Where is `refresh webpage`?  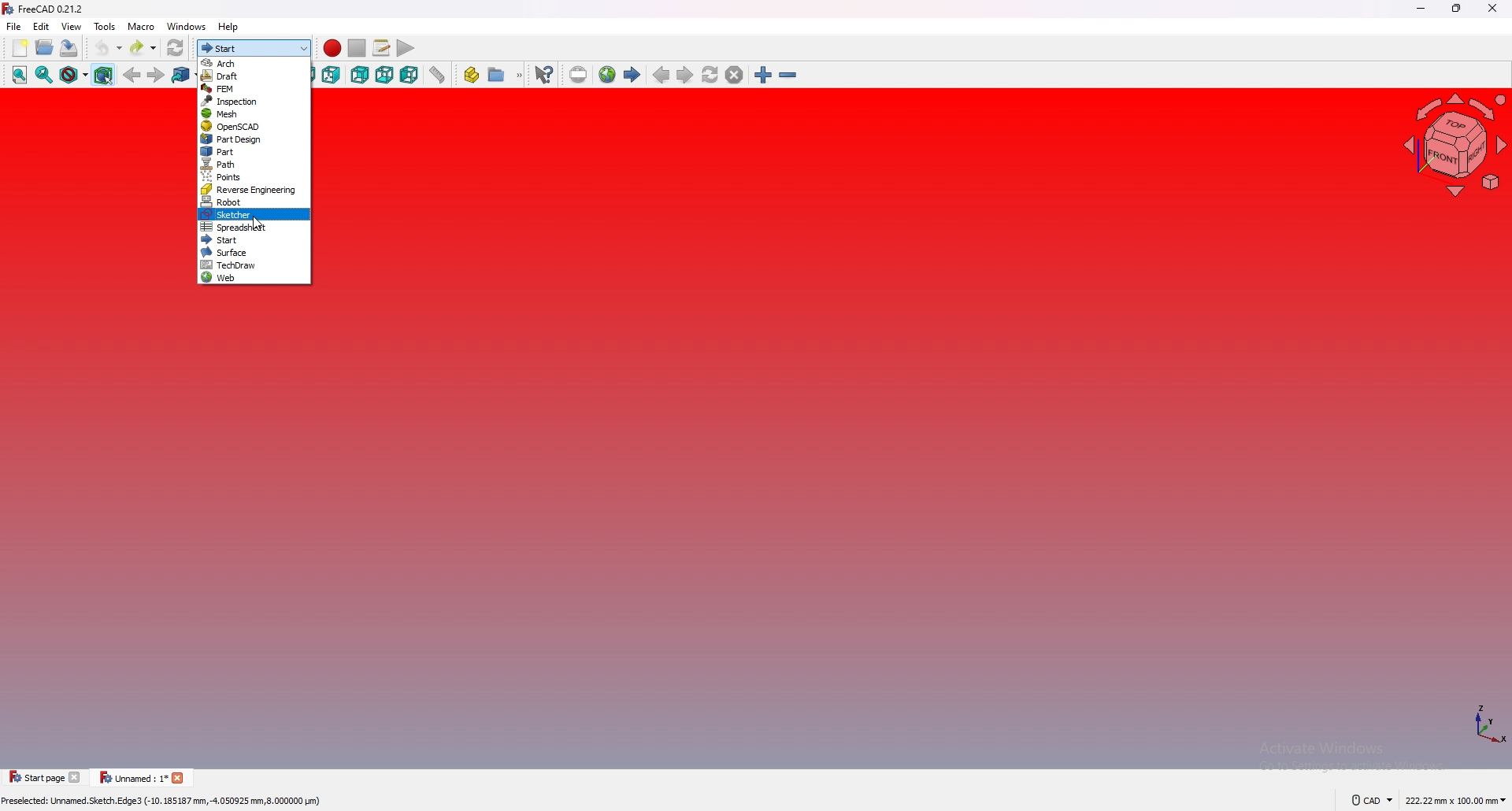 refresh webpage is located at coordinates (710, 73).